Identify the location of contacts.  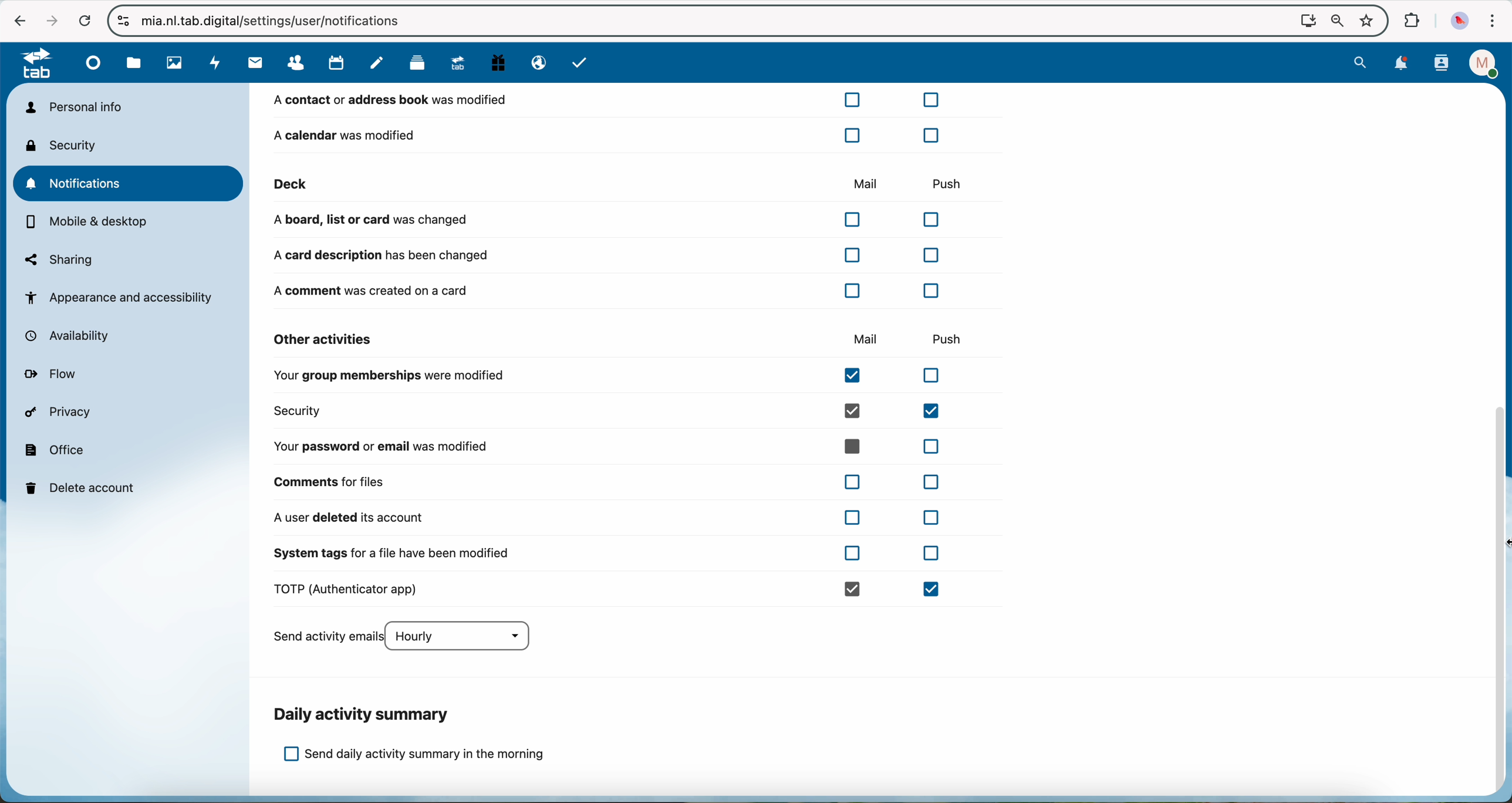
(1441, 64).